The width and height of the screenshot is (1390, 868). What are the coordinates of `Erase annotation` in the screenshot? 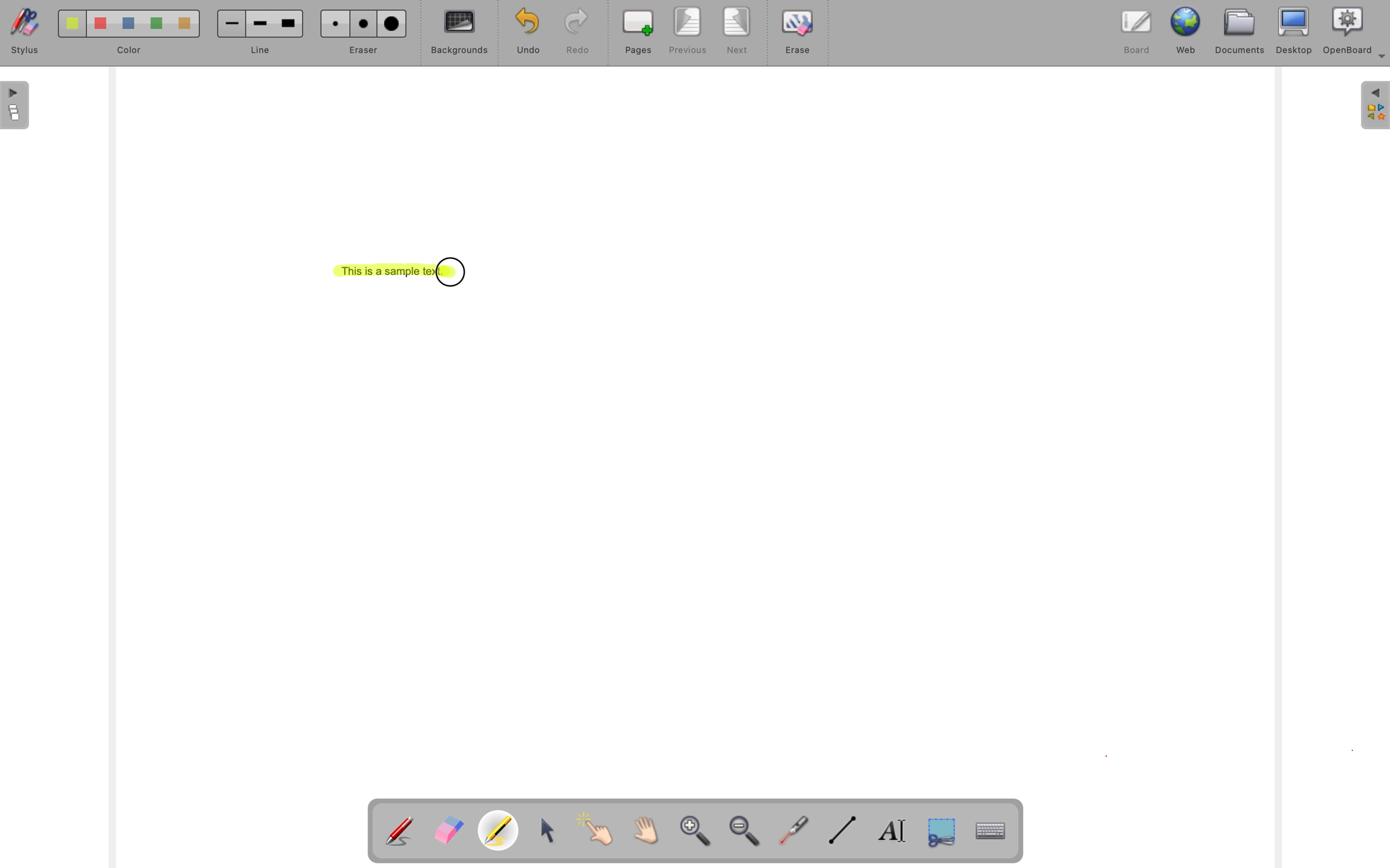 It's located at (451, 827).